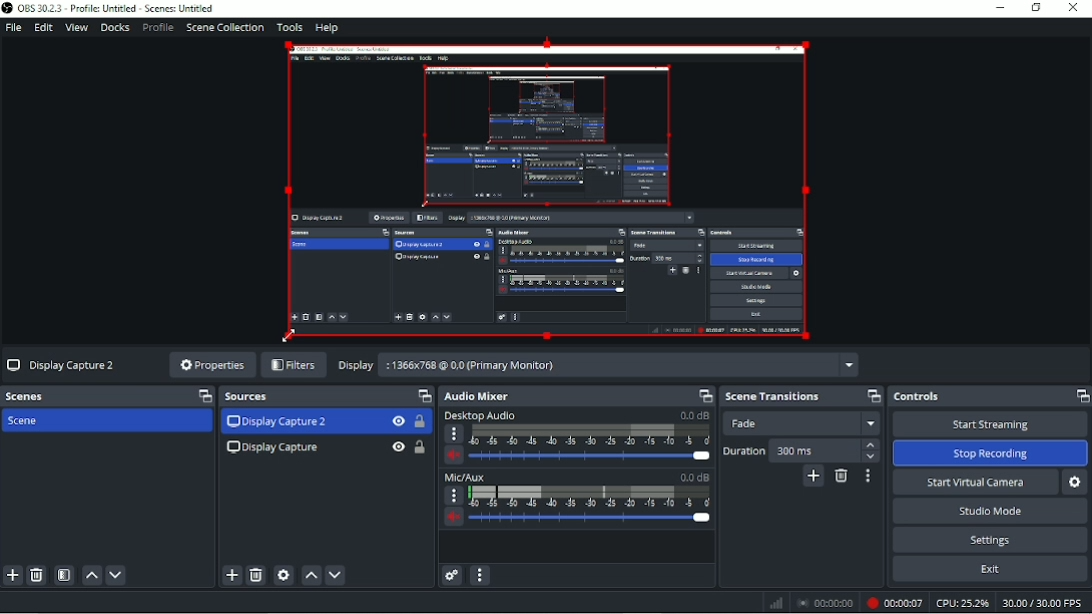 The image size is (1092, 614). What do you see at coordinates (813, 476) in the screenshot?
I see `Add cofigurable transition` at bounding box center [813, 476].